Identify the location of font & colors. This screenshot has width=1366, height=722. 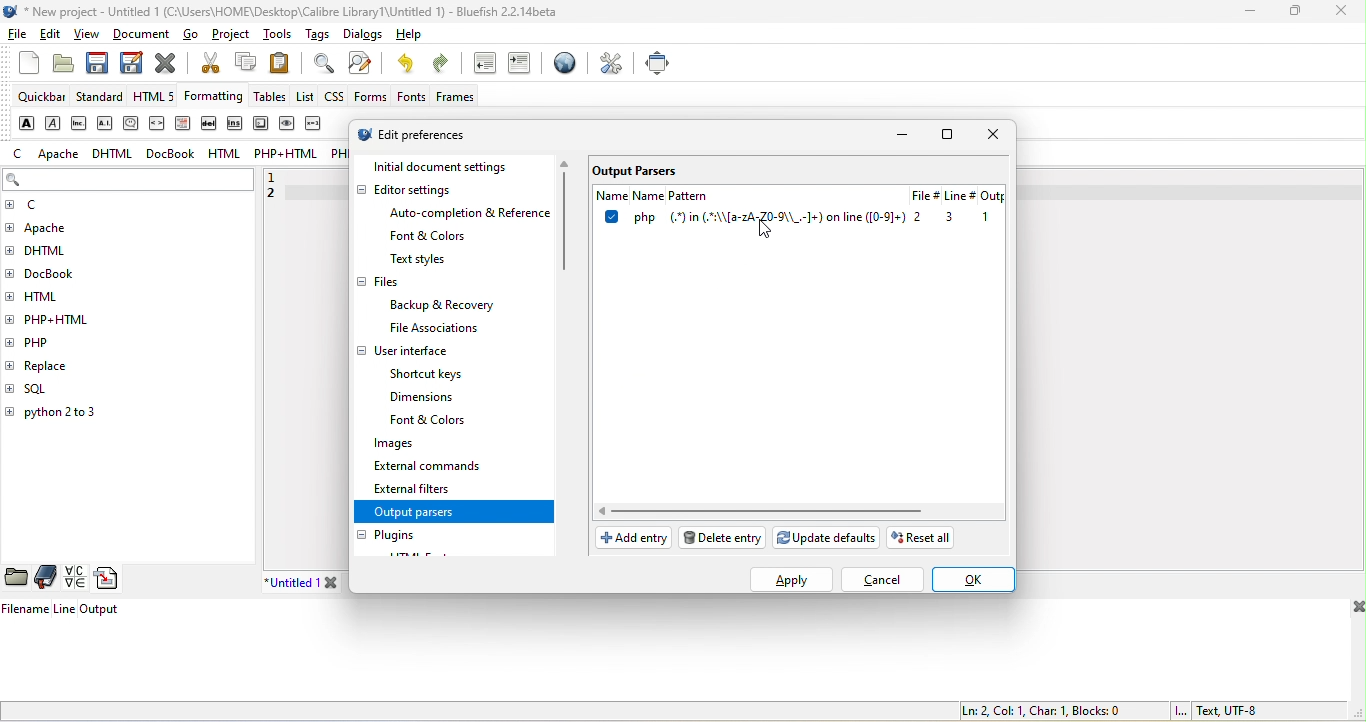
(439, 421).